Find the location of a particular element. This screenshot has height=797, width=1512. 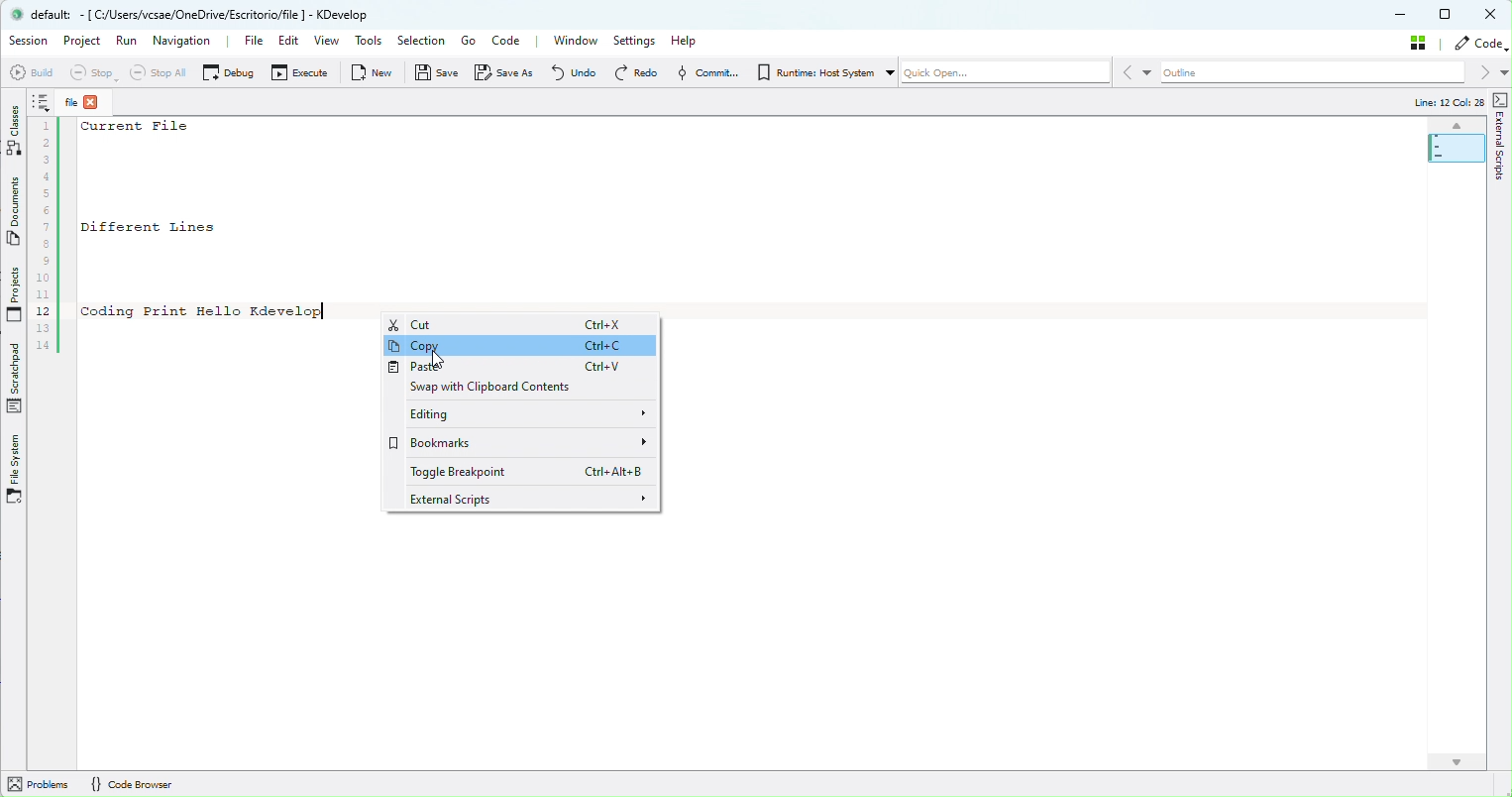

Line: 12 Col:24 is located at coordinates (1447, 102).